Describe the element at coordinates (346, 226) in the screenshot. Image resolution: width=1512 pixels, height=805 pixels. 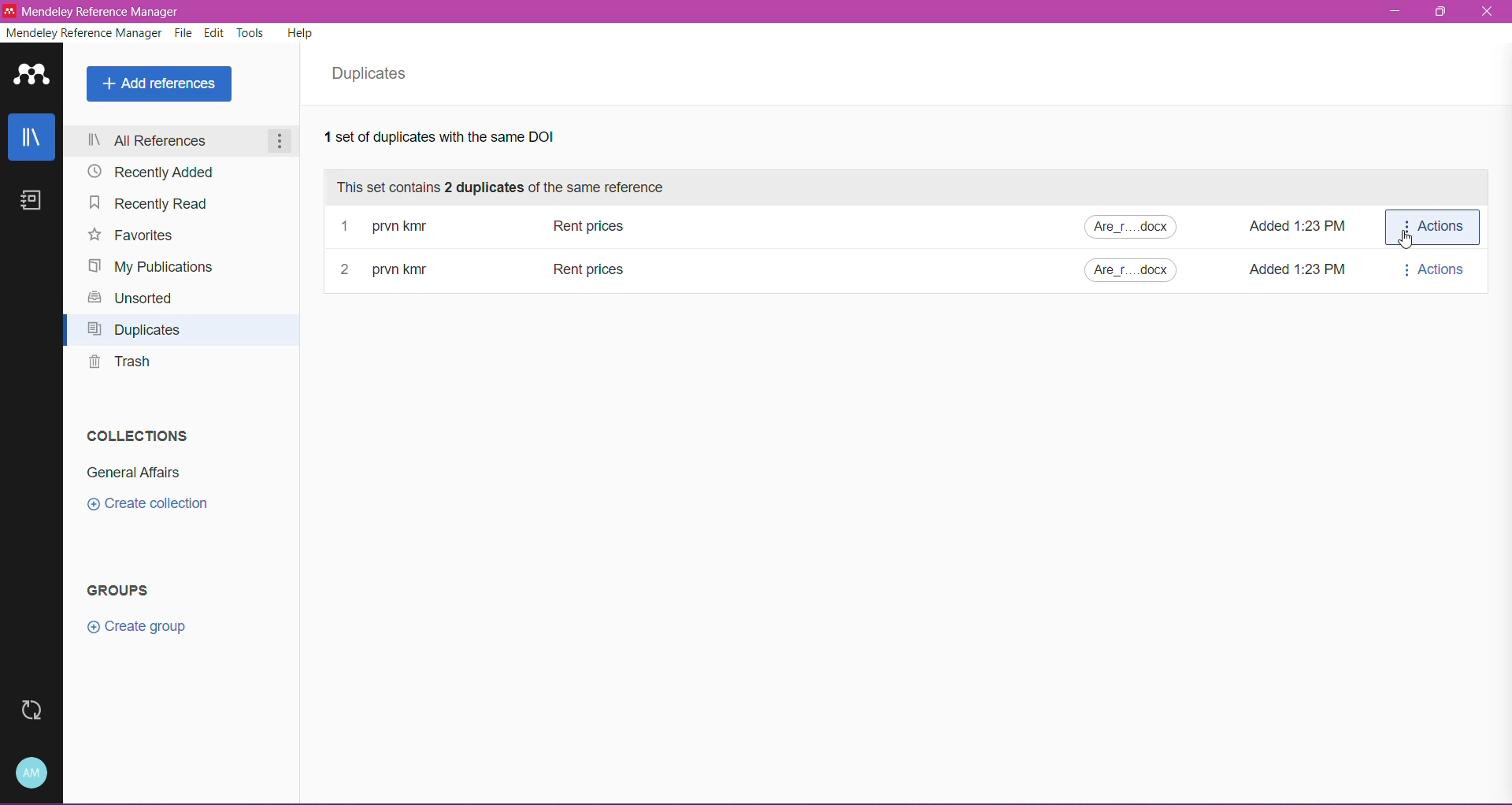
I see `Item number` at that location.